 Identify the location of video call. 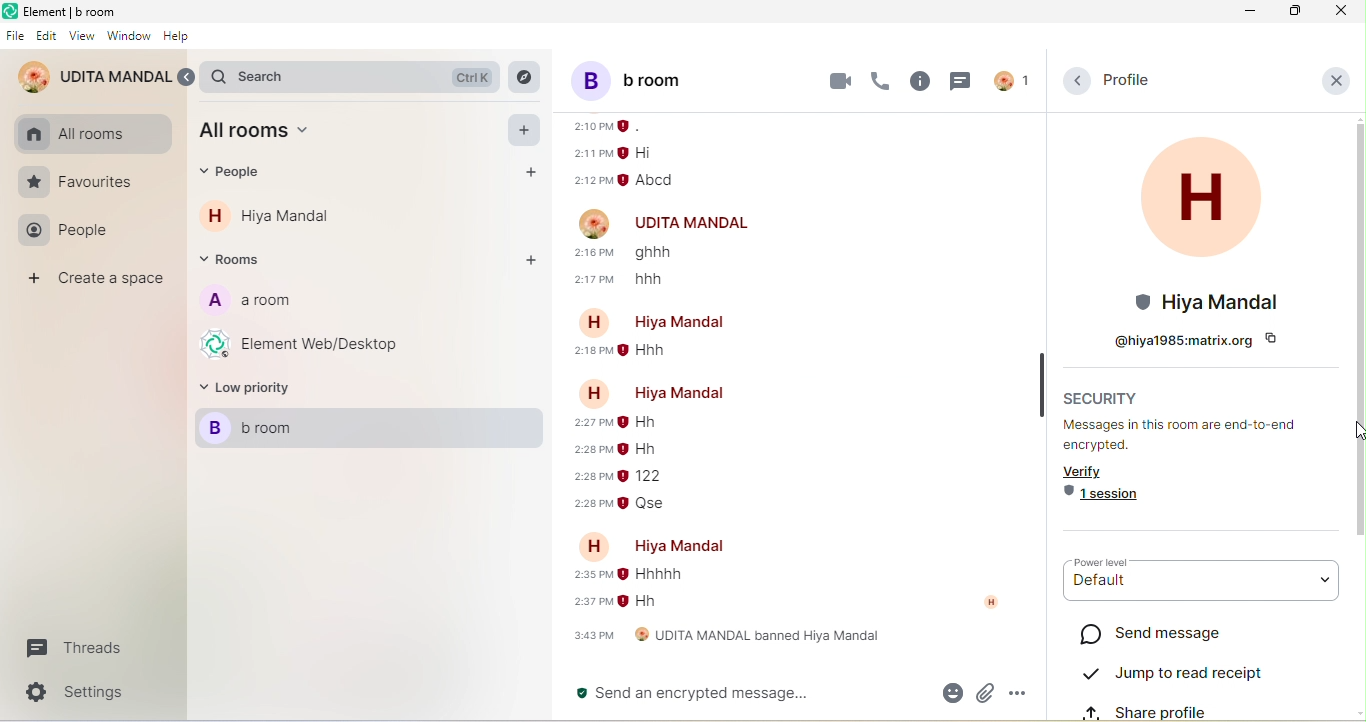
(840, 80).